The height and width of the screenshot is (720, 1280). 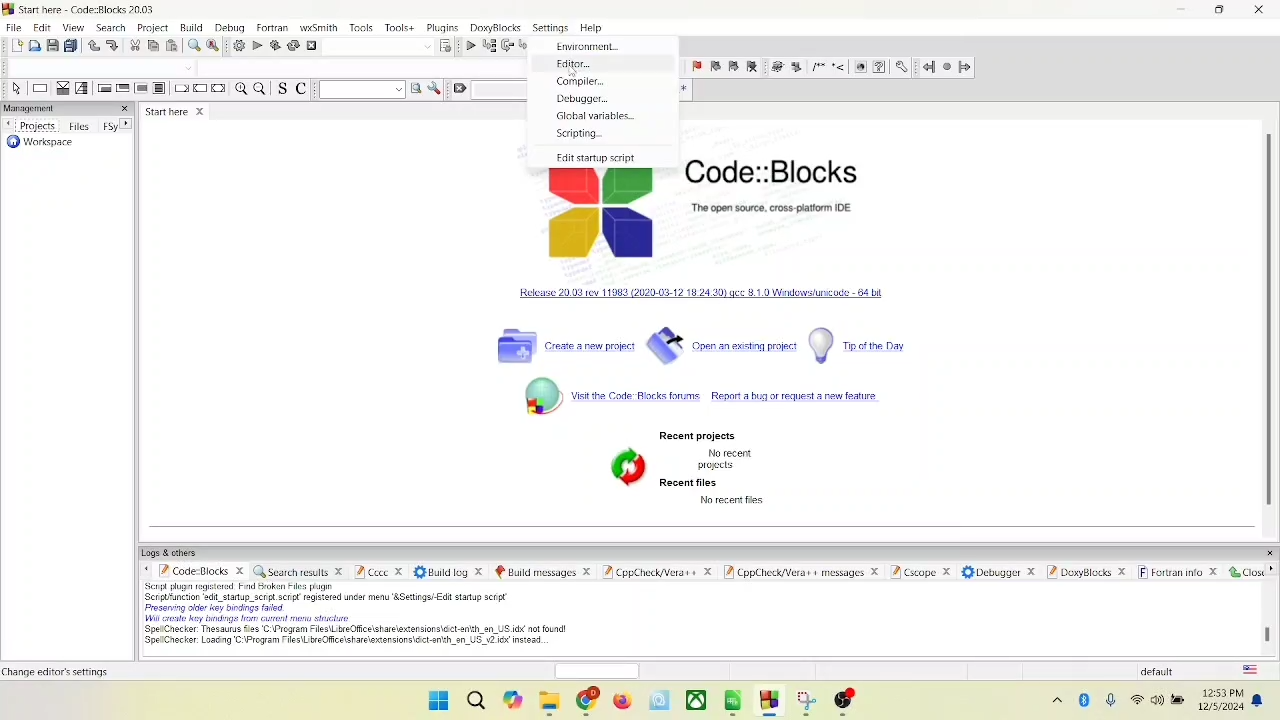 I want to click on replace, so click(x=213, y=46).